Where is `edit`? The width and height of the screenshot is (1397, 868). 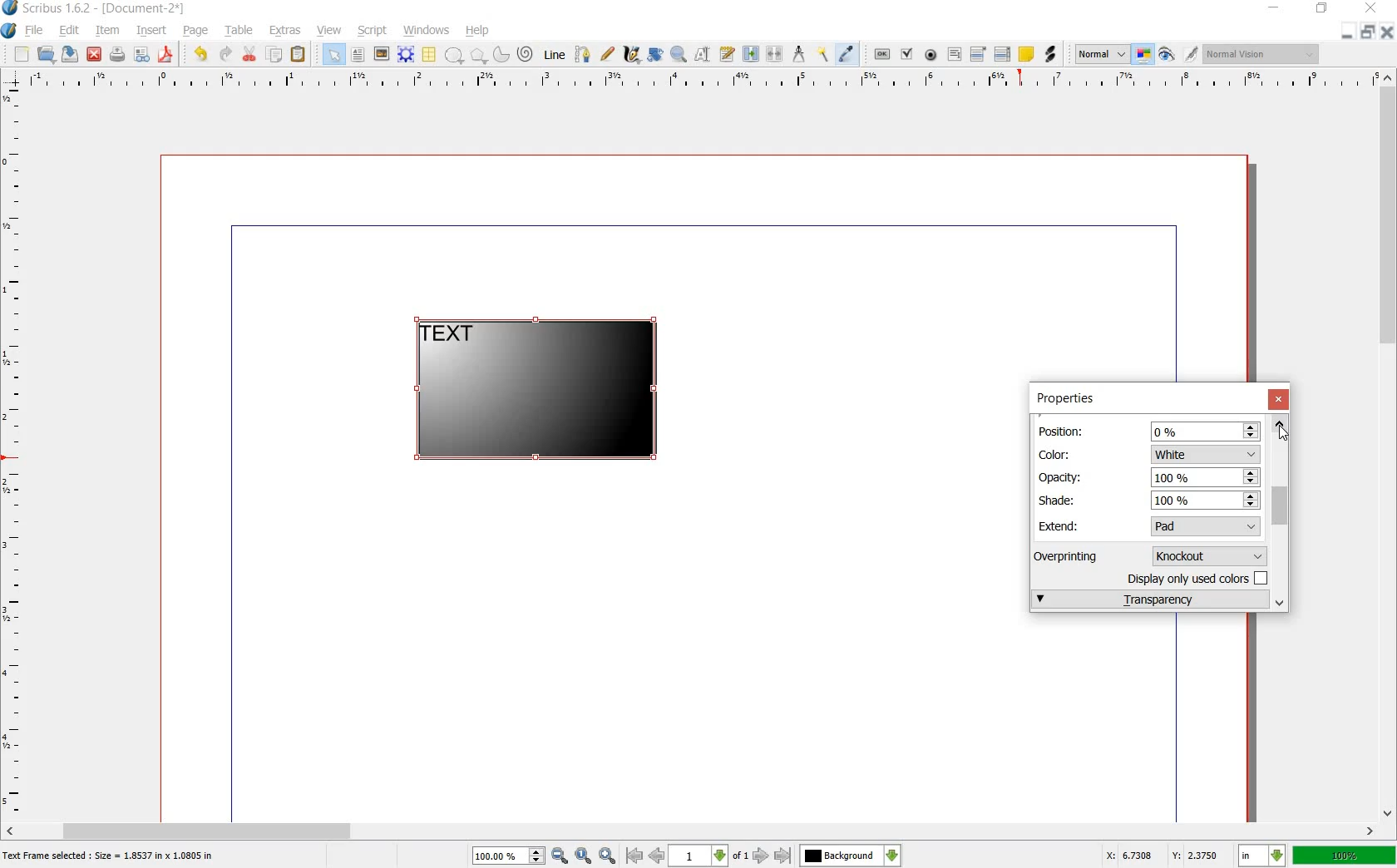
edit is located at coordinates (70, 31).